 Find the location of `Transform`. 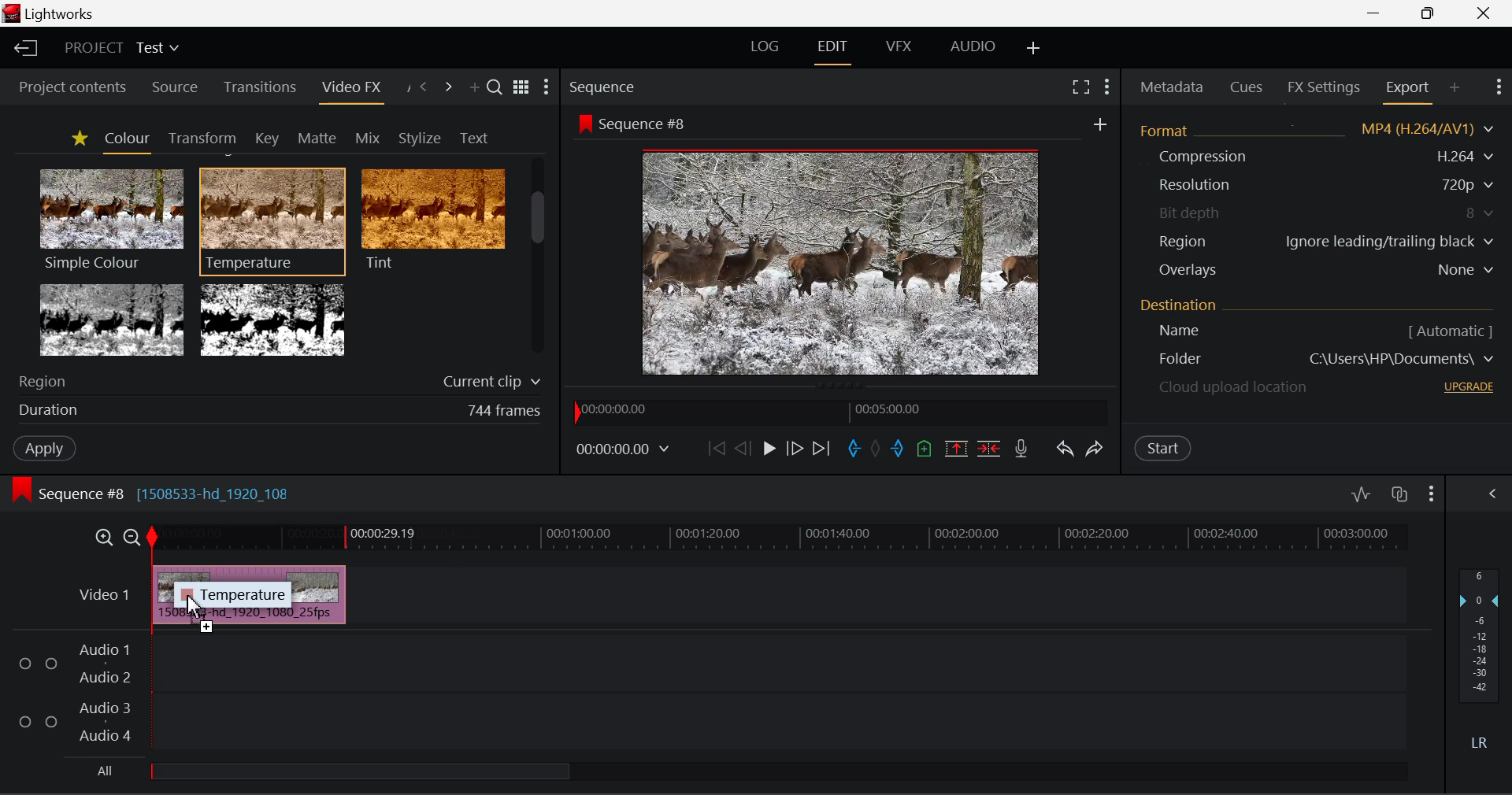

Transform is located at coordinates (199, 137).